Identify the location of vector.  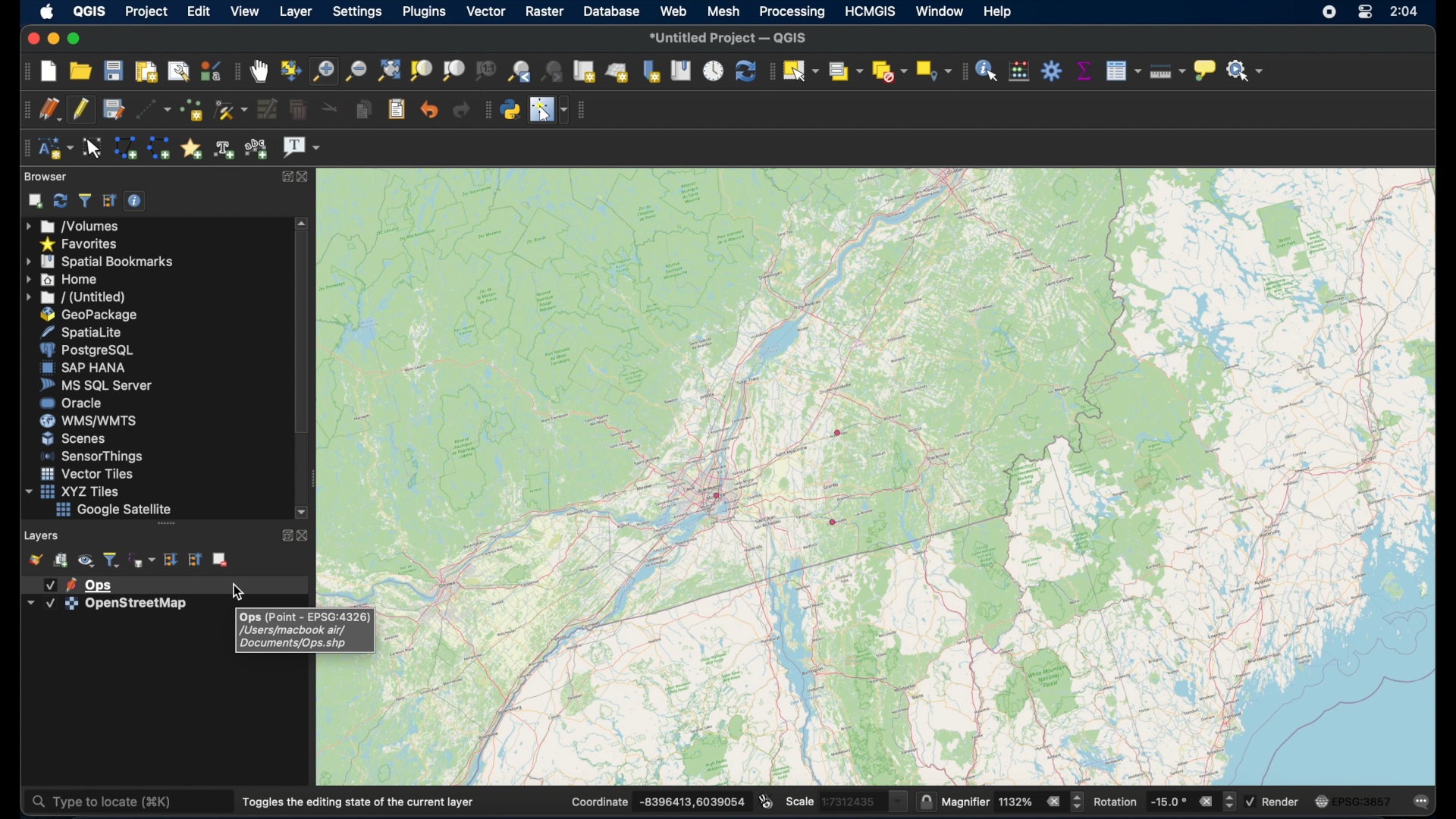
(485, 12).